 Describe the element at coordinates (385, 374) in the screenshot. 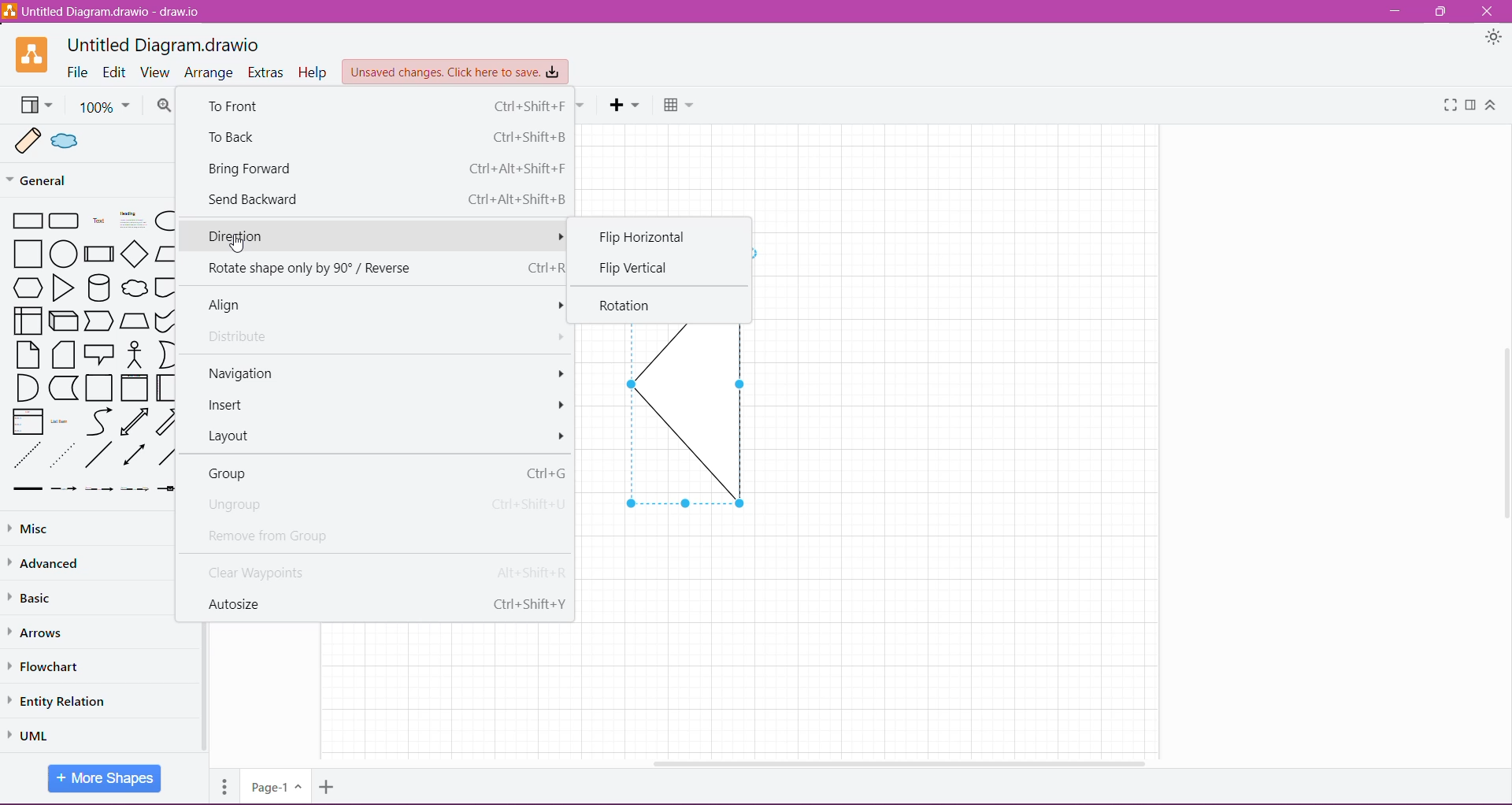

I see `Navigation` at that location.